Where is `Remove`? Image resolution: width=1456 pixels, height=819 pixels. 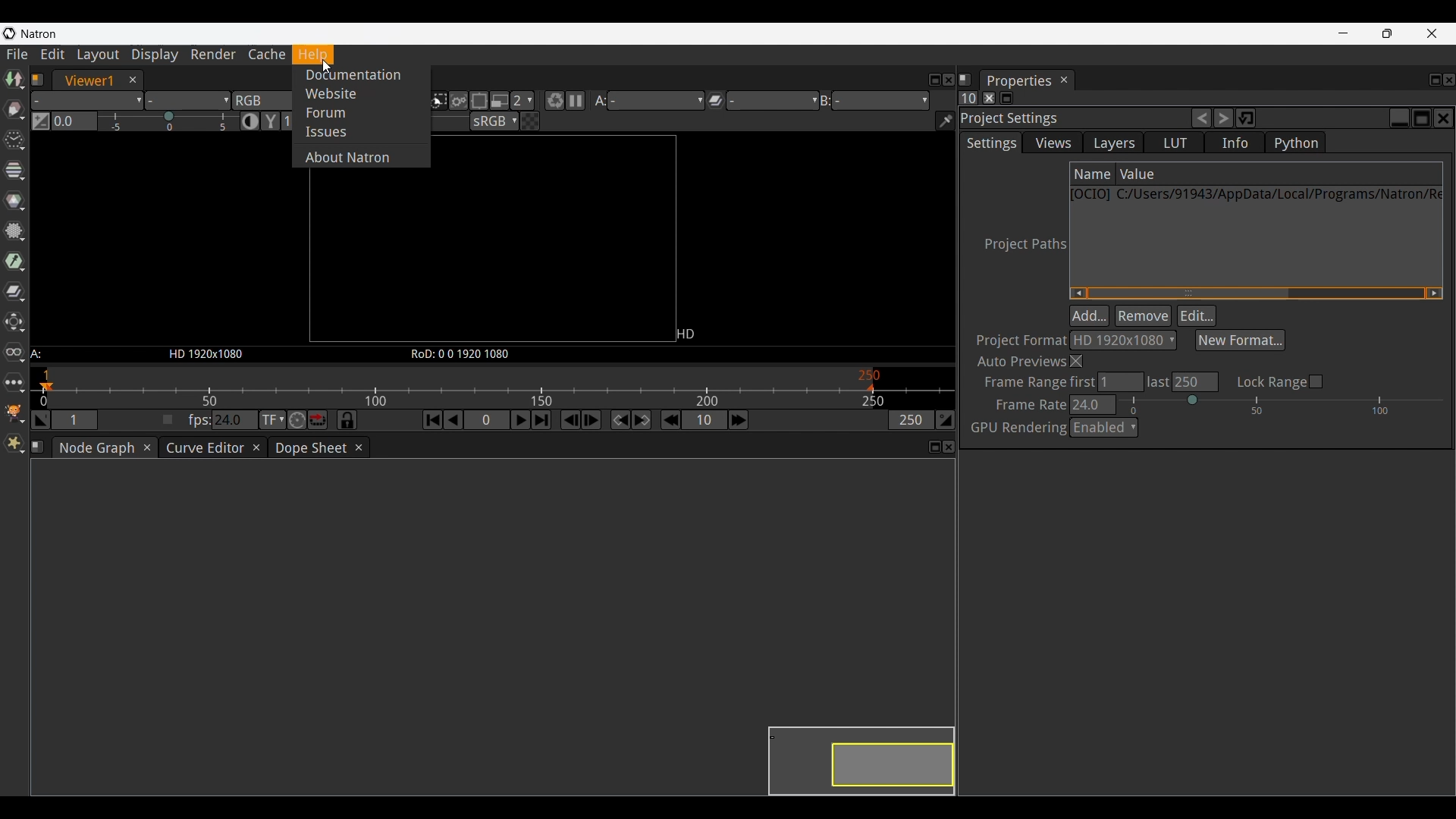
Remove is located at coordinates (1144, 315).